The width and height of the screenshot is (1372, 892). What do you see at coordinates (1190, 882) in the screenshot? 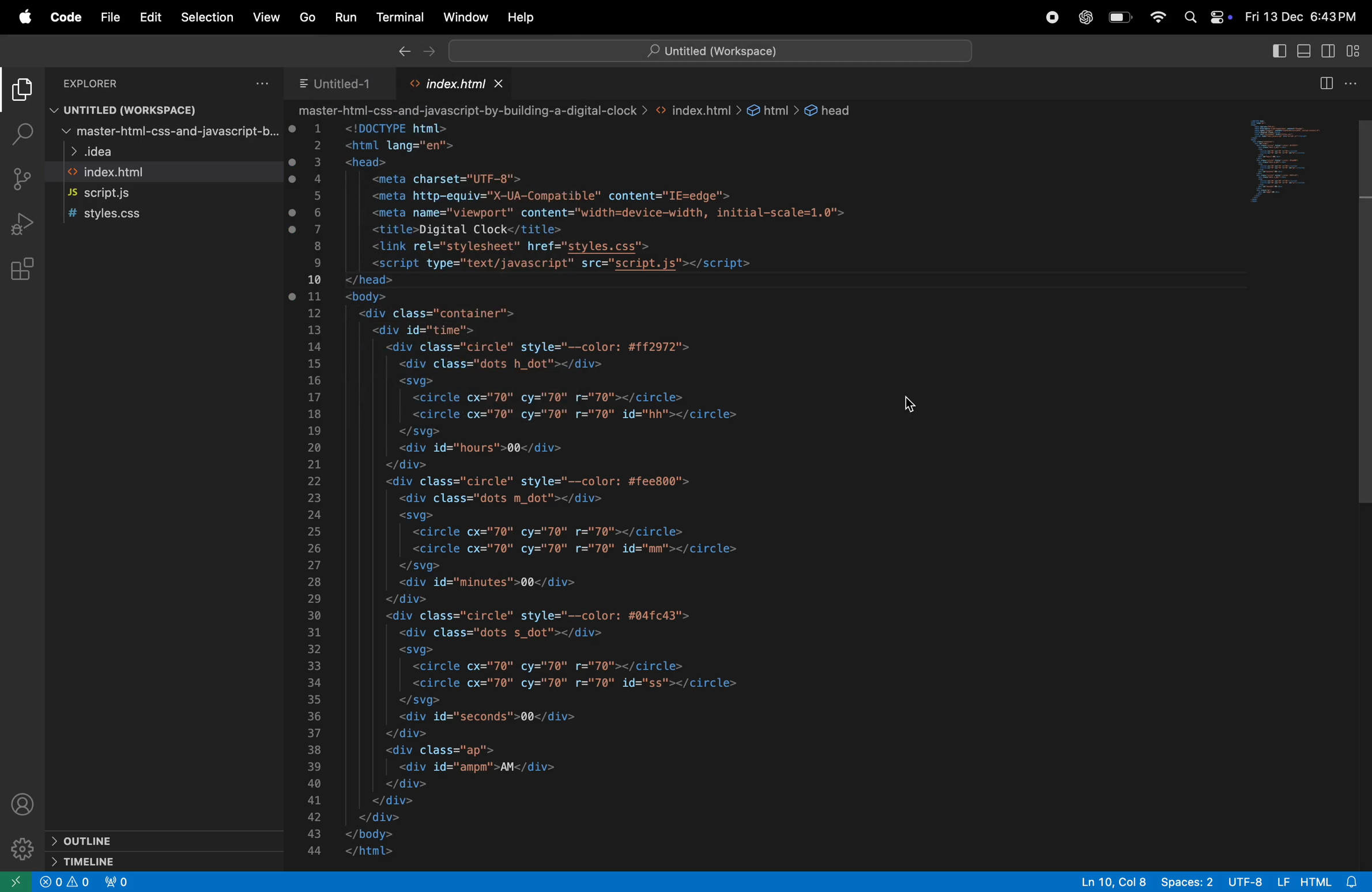
I see `spaces 2` at bounding box center [1190, 882].